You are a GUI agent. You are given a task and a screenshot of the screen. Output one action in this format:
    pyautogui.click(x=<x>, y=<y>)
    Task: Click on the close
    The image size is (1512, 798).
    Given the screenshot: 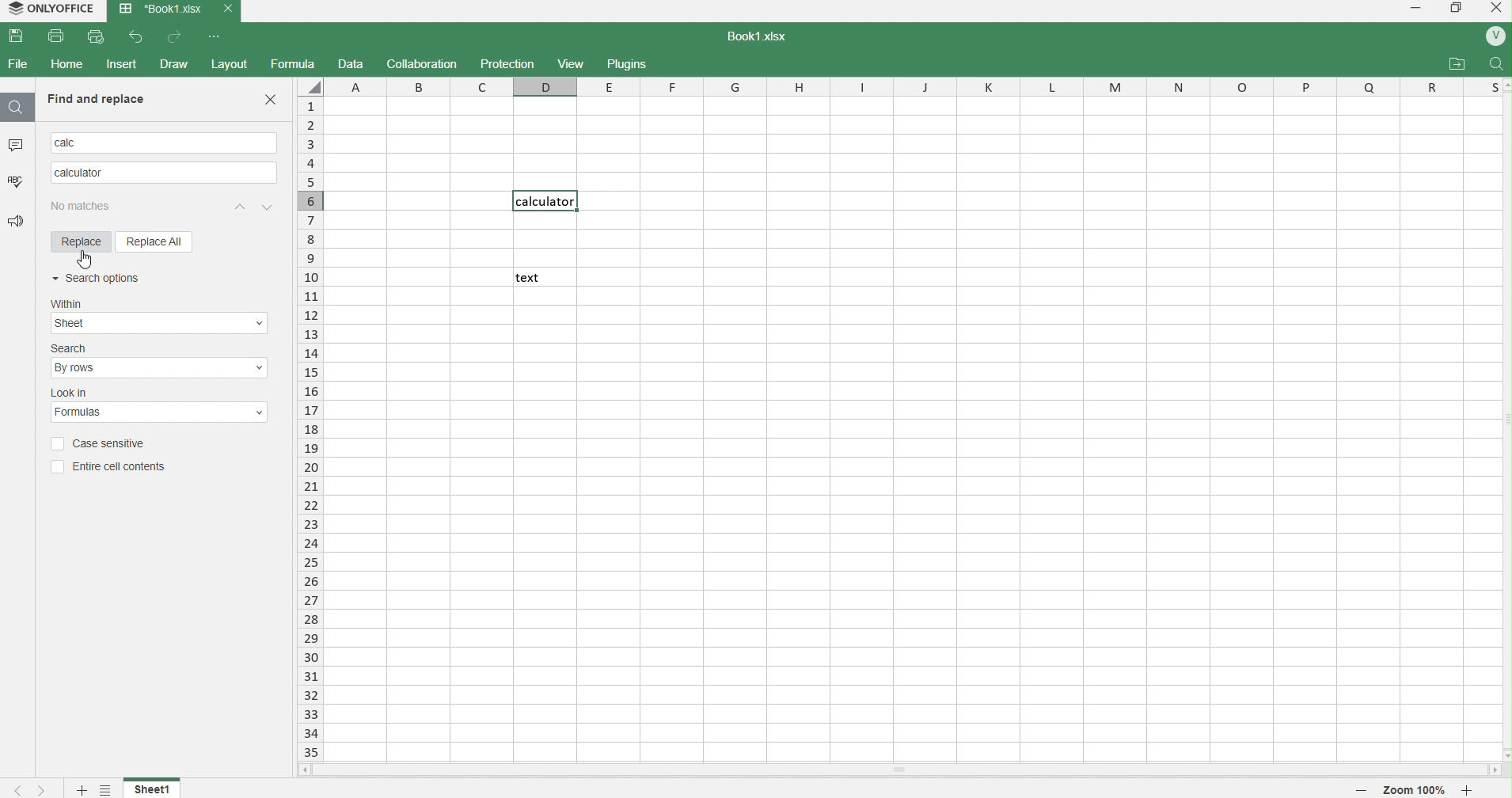 What is the action you would take?
    pyautogui.click(x=1494, y=11)
    